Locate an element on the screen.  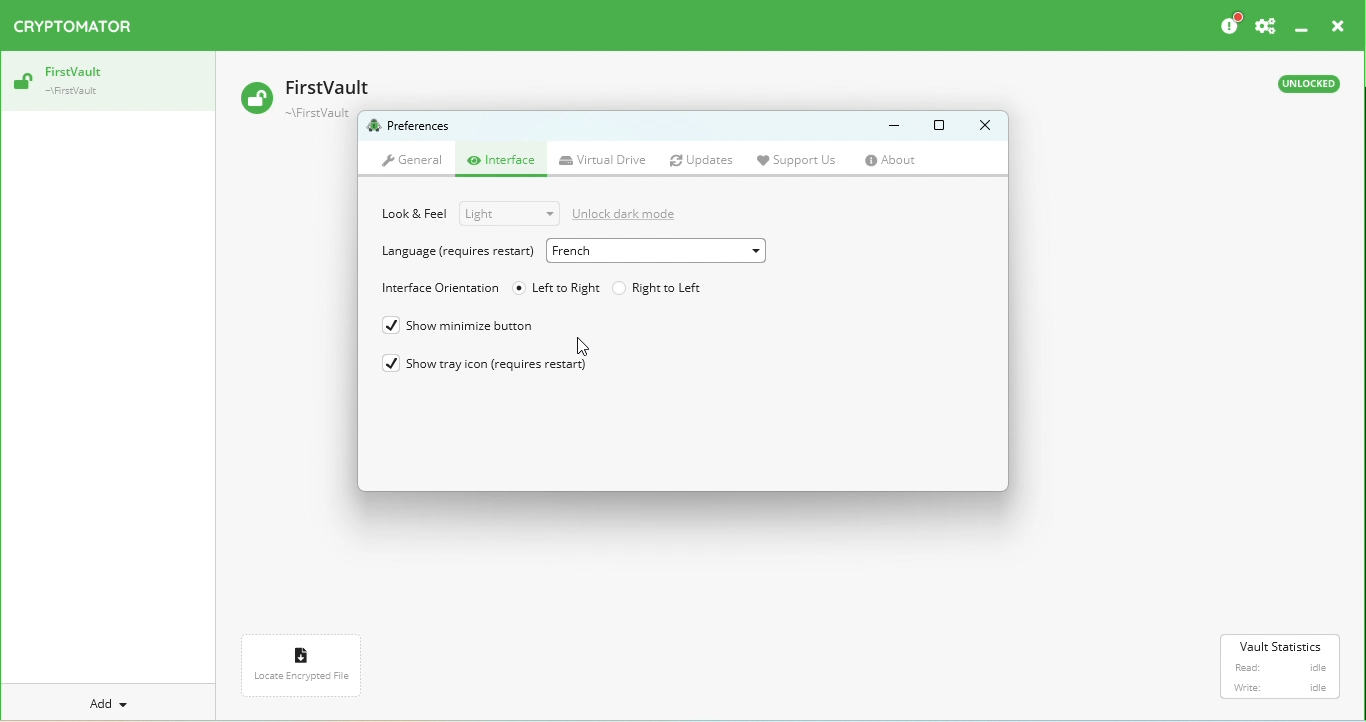
General is located at coordinates (412, 162).